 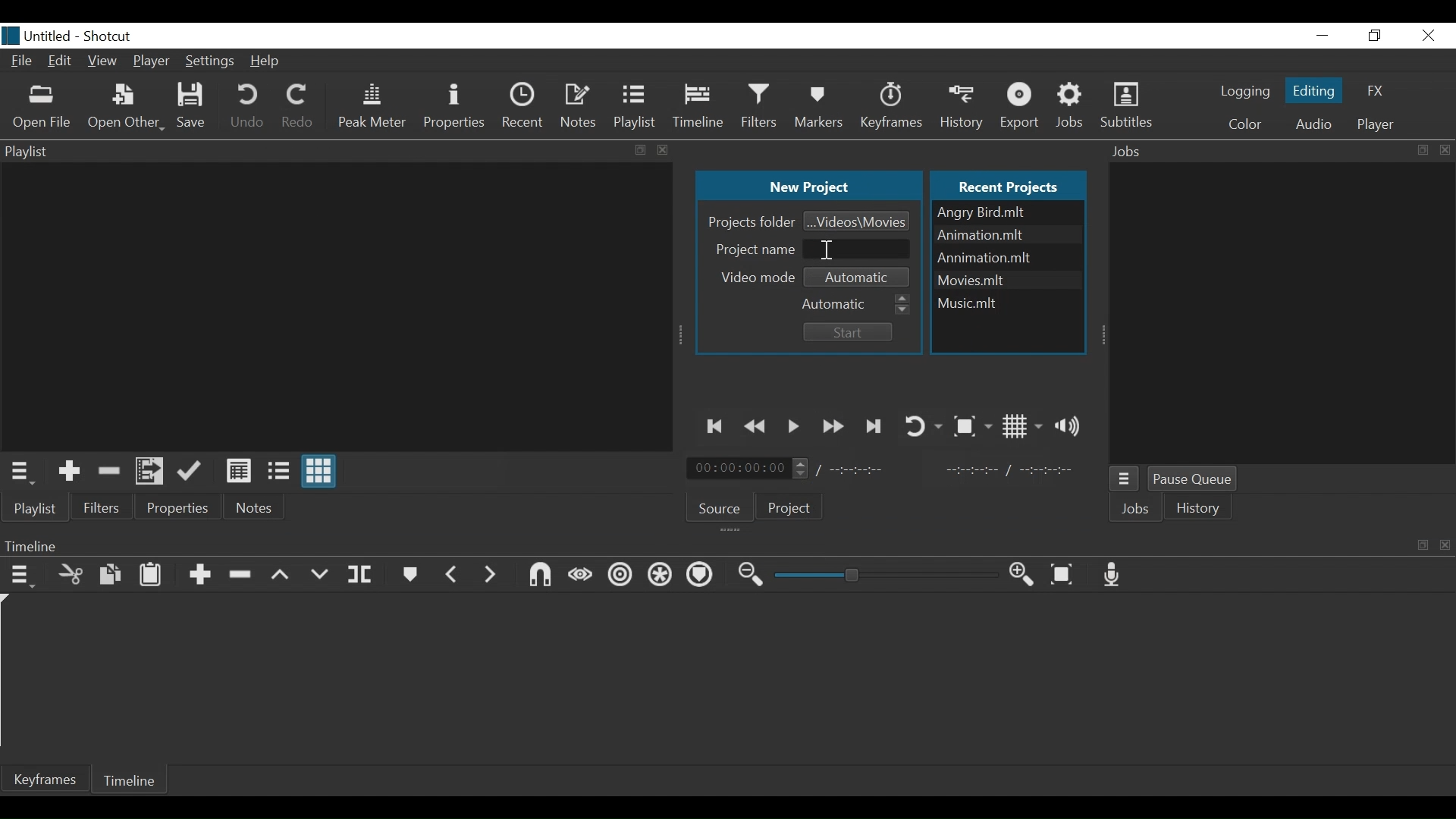 What do you see at coordinates (867, 470) in the screenshot?
I see `Total Duration` at bounding box center [867, 470].